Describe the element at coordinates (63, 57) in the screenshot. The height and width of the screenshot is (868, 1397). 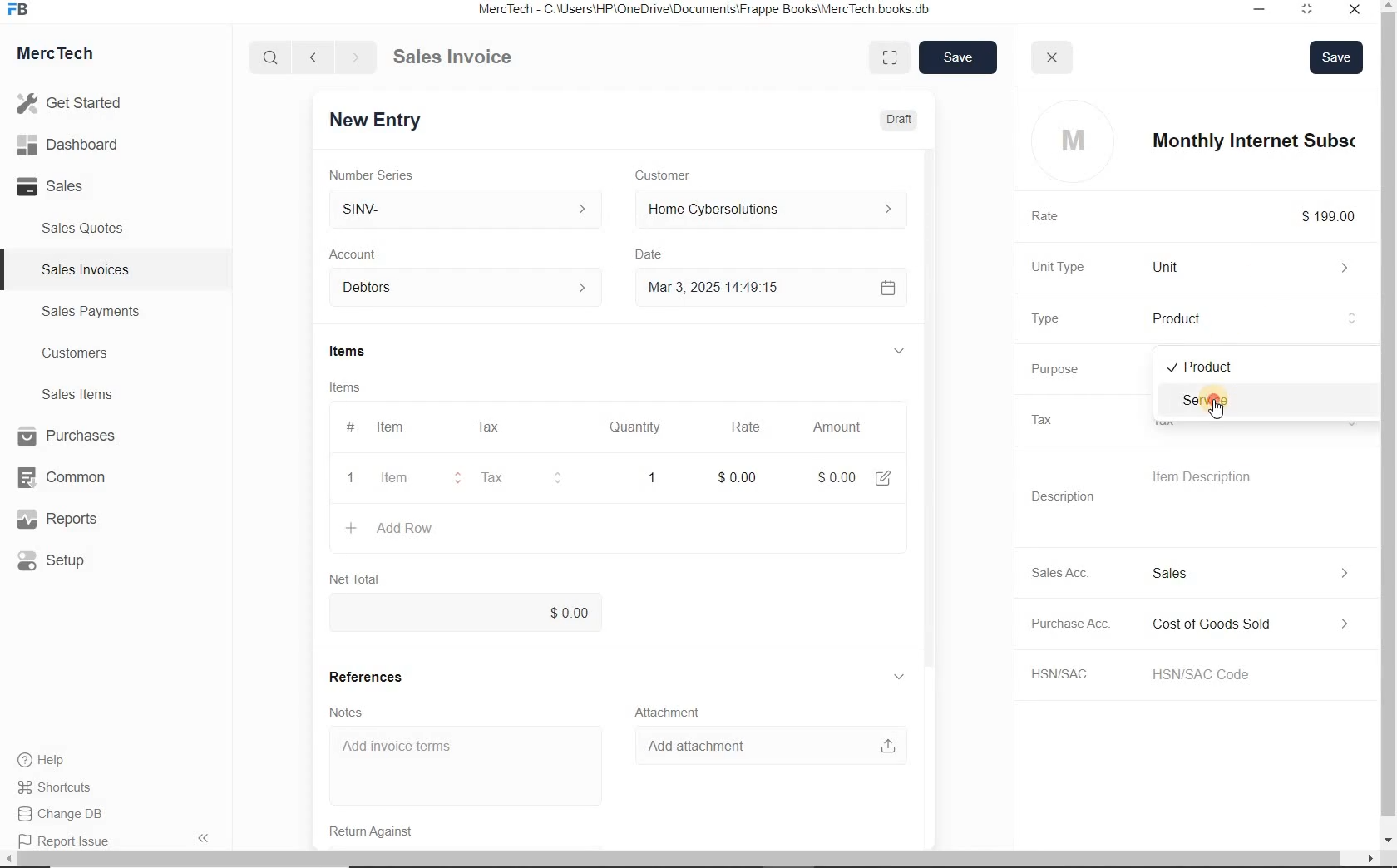
I see `MercTech` at that location.